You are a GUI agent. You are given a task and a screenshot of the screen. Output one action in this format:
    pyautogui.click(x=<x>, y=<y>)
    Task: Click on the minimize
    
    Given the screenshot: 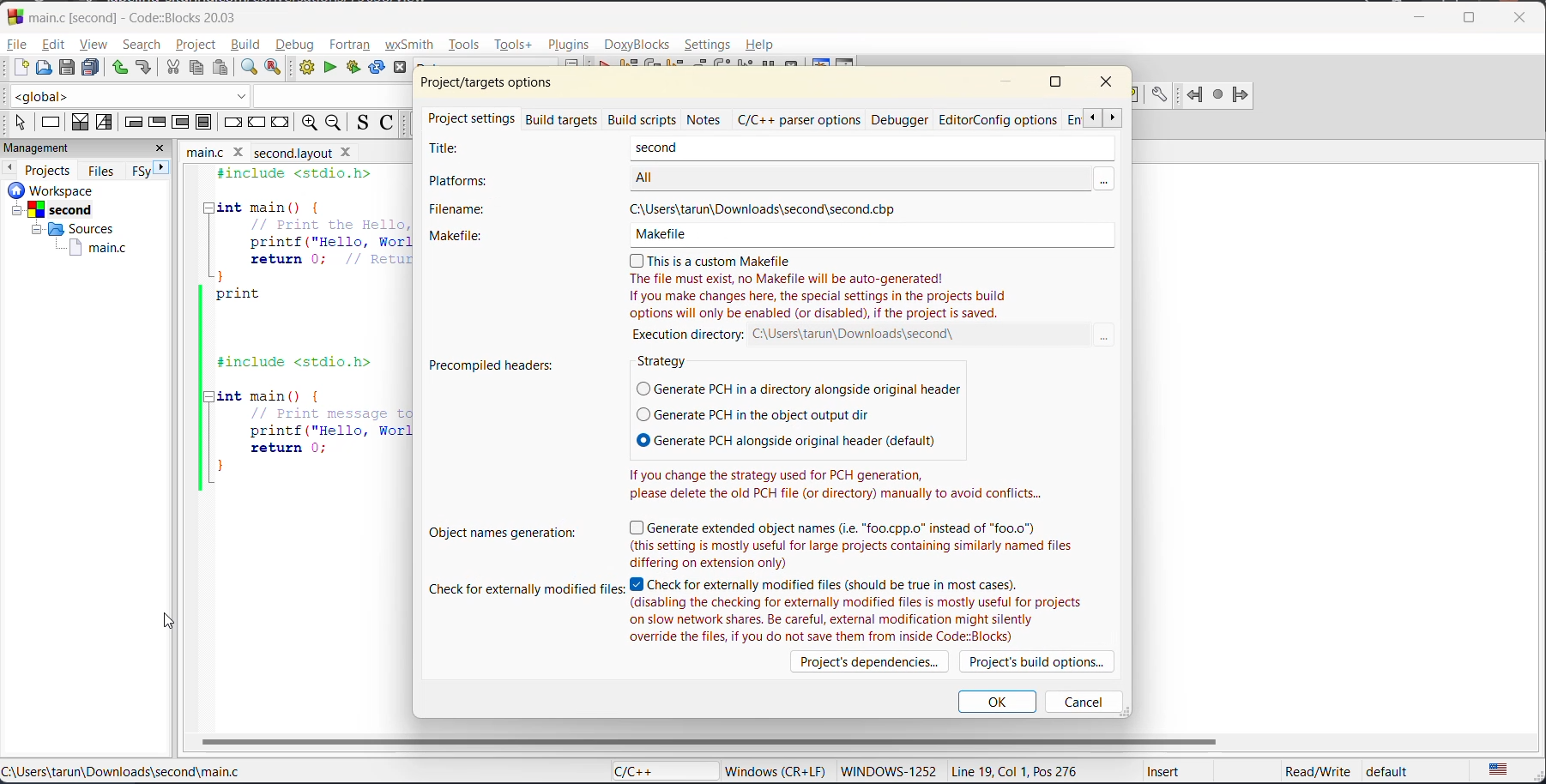 What is the action you would take?
    pyautogui.click(x=1428, y=15)
    